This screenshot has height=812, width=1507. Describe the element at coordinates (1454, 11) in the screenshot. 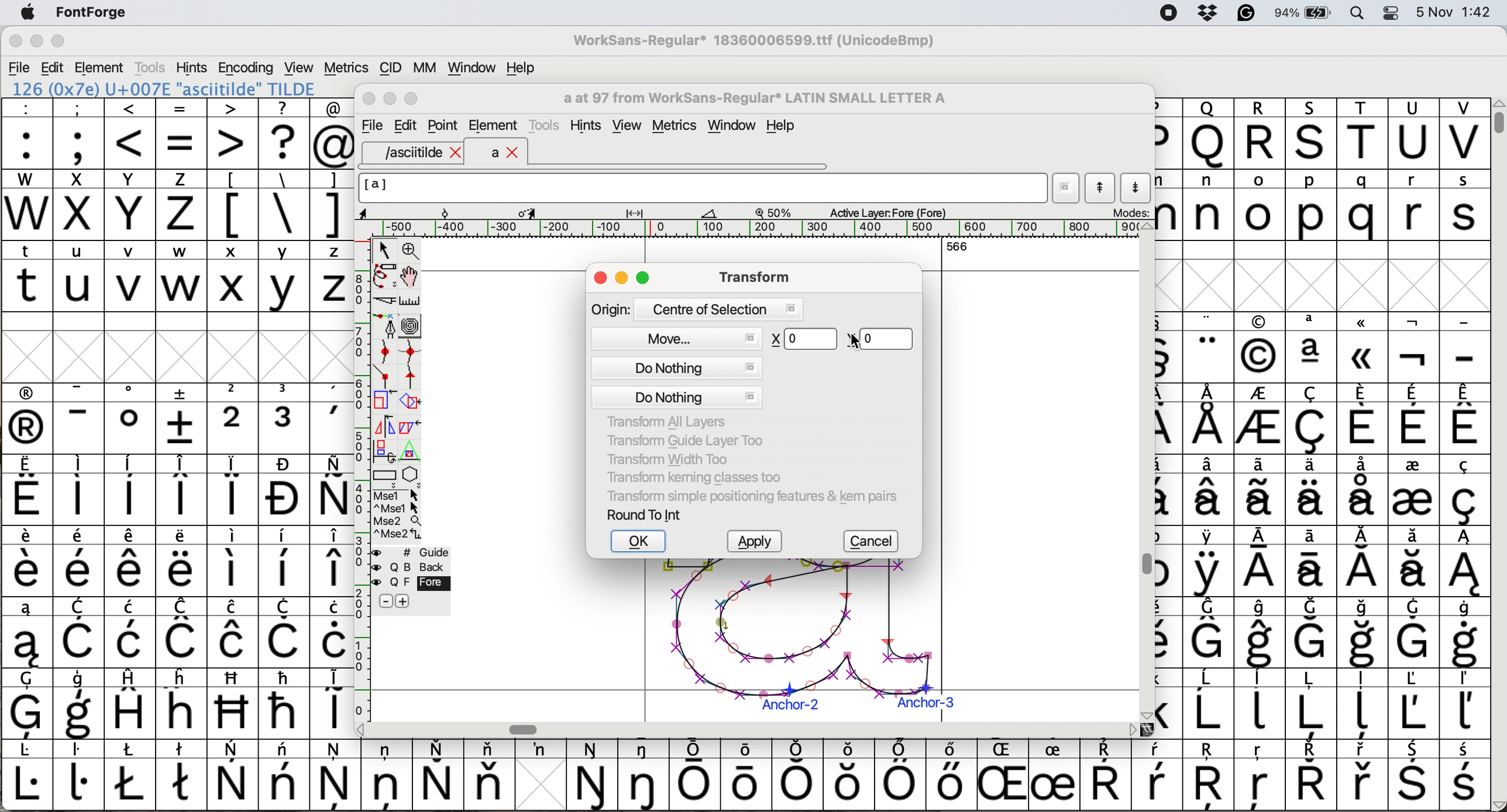

I see `date and time` at that location.